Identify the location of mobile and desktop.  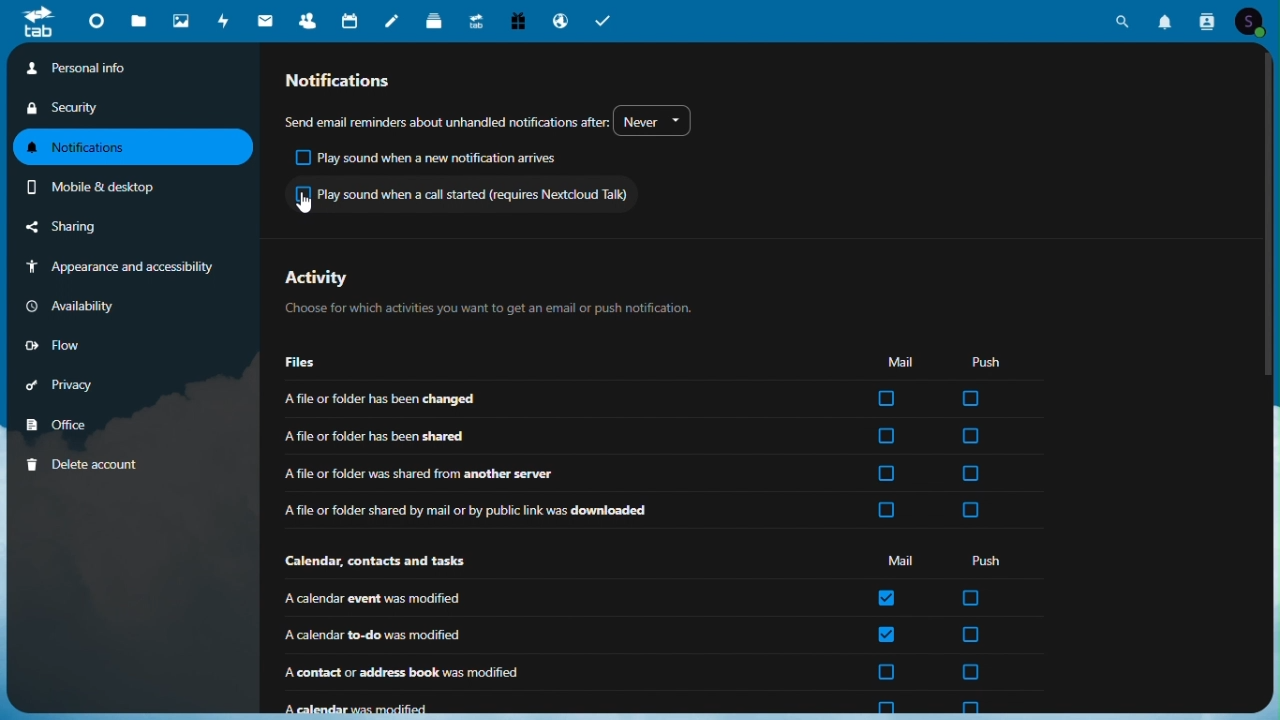
(116, 187).